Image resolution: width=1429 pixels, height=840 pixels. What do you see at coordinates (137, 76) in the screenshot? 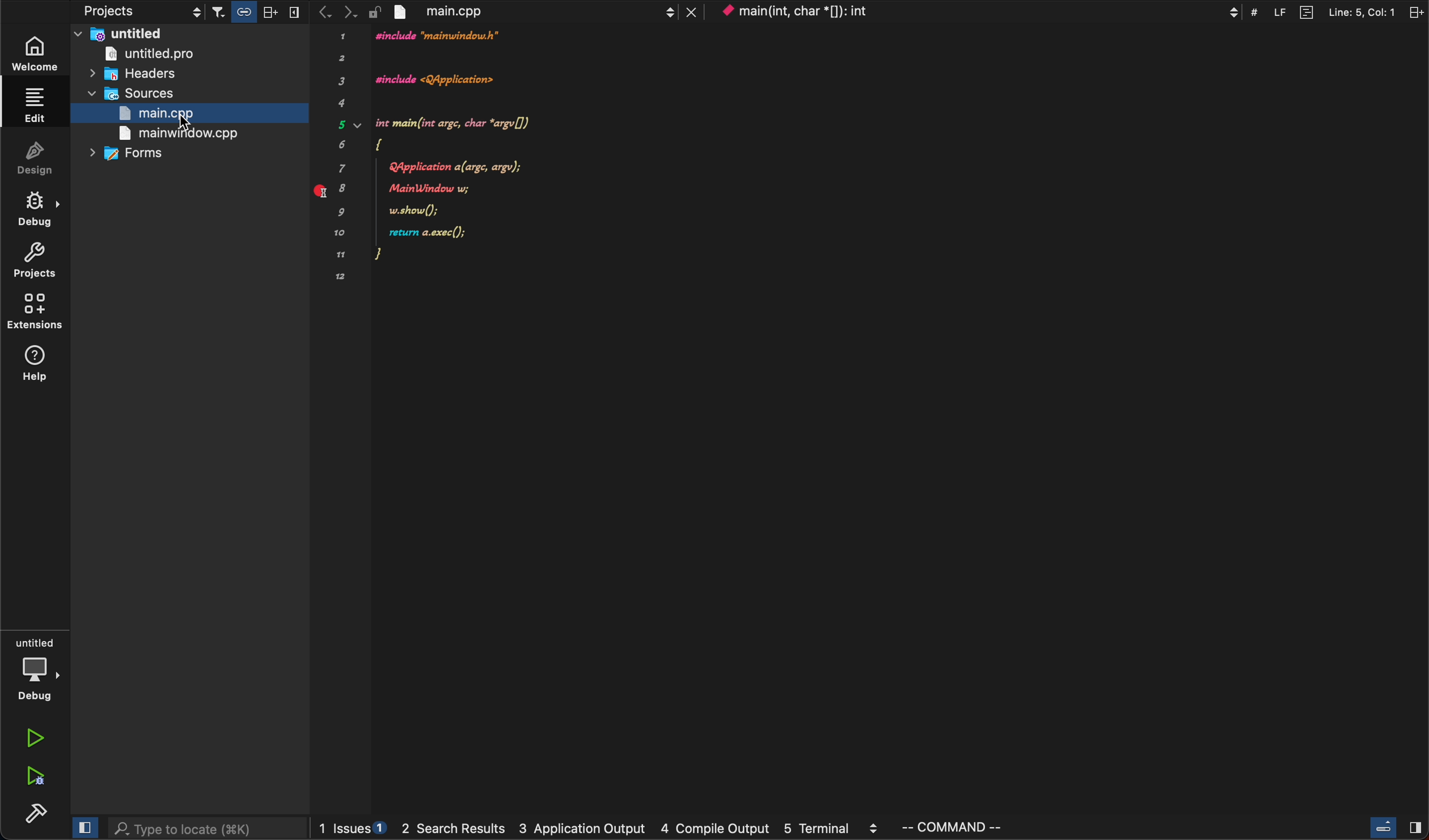
I see `headers` at bounding box center [137, 76].